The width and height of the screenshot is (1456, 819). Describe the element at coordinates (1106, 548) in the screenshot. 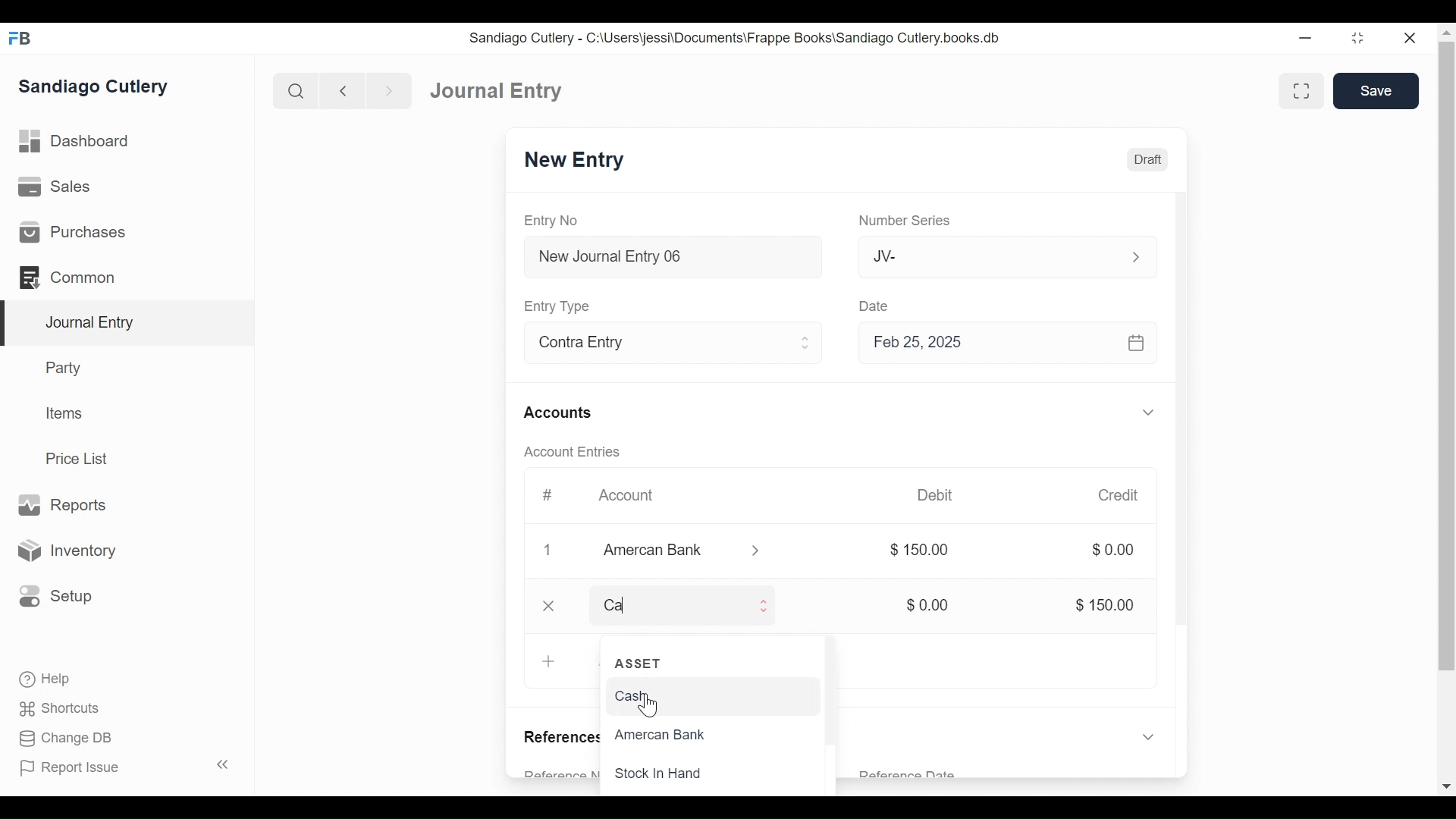

I see `$0.00` at that location.